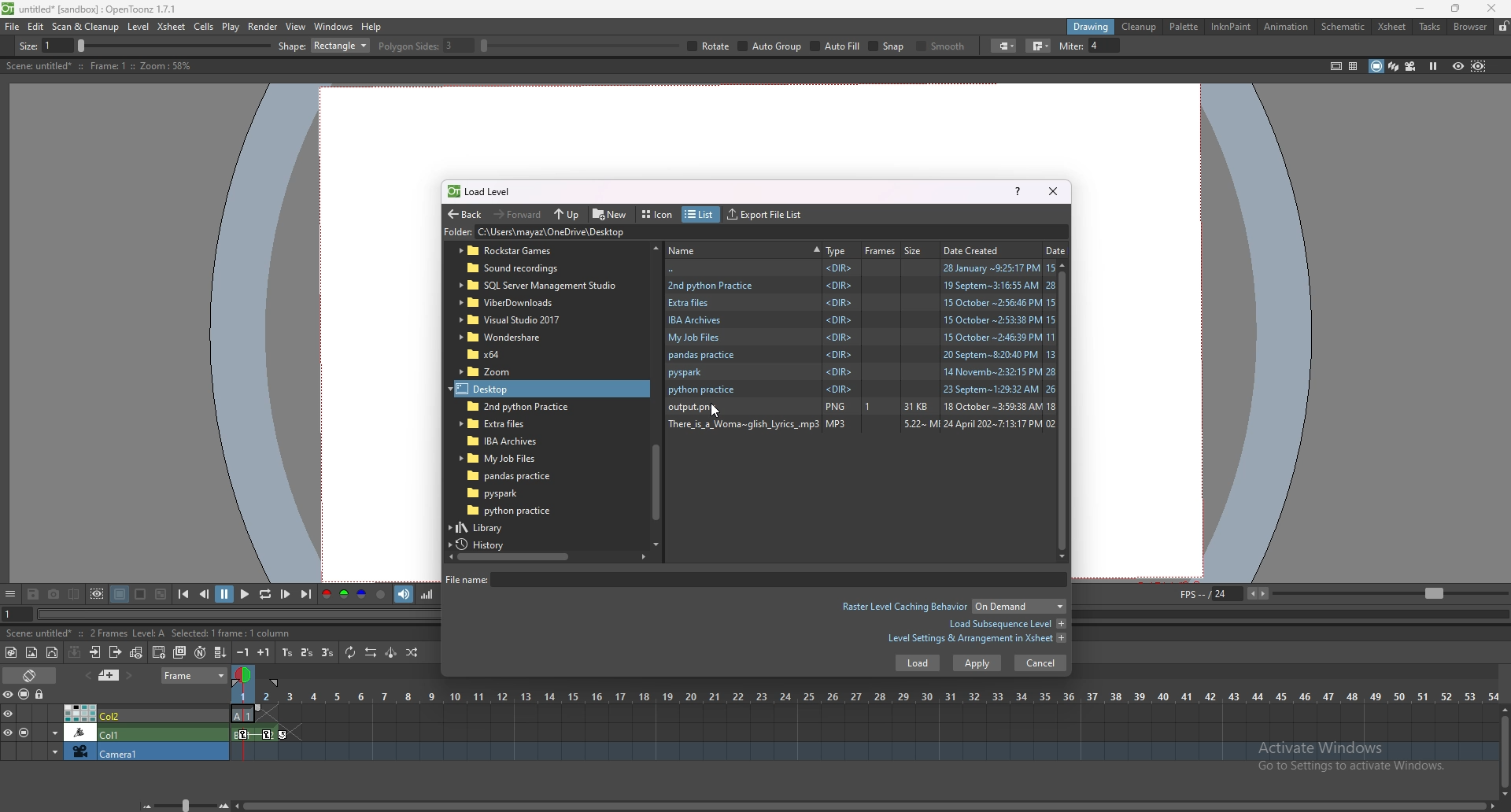 Image resolution: width=1511 pixels, height=812 pixels. I want to click on autofill cells, so click(220, 652).